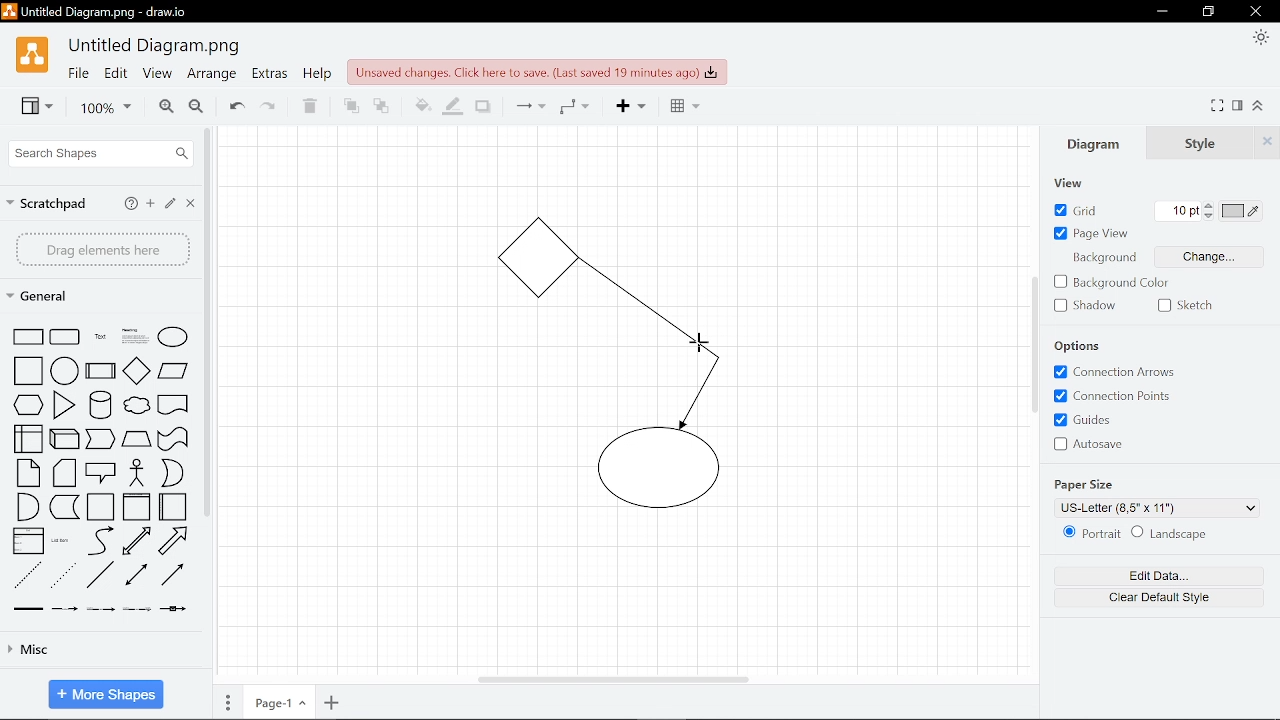 The height and width of the screenshot is (720, 1280). What do you see at coordinates (136, 508) in the screenshot?
I see `shape` at bounding box center [136, 508].